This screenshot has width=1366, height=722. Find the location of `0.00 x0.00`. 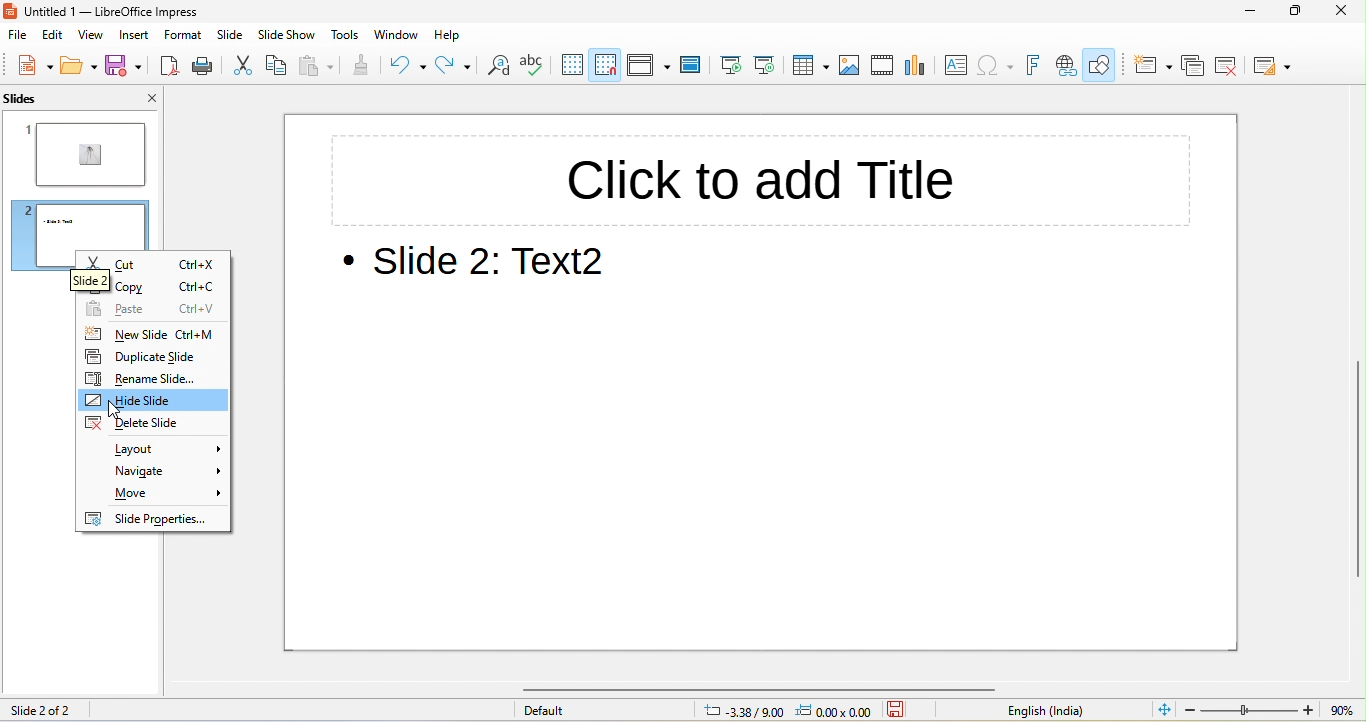

0.00 x0.00 is located at coordinates (836, 710).